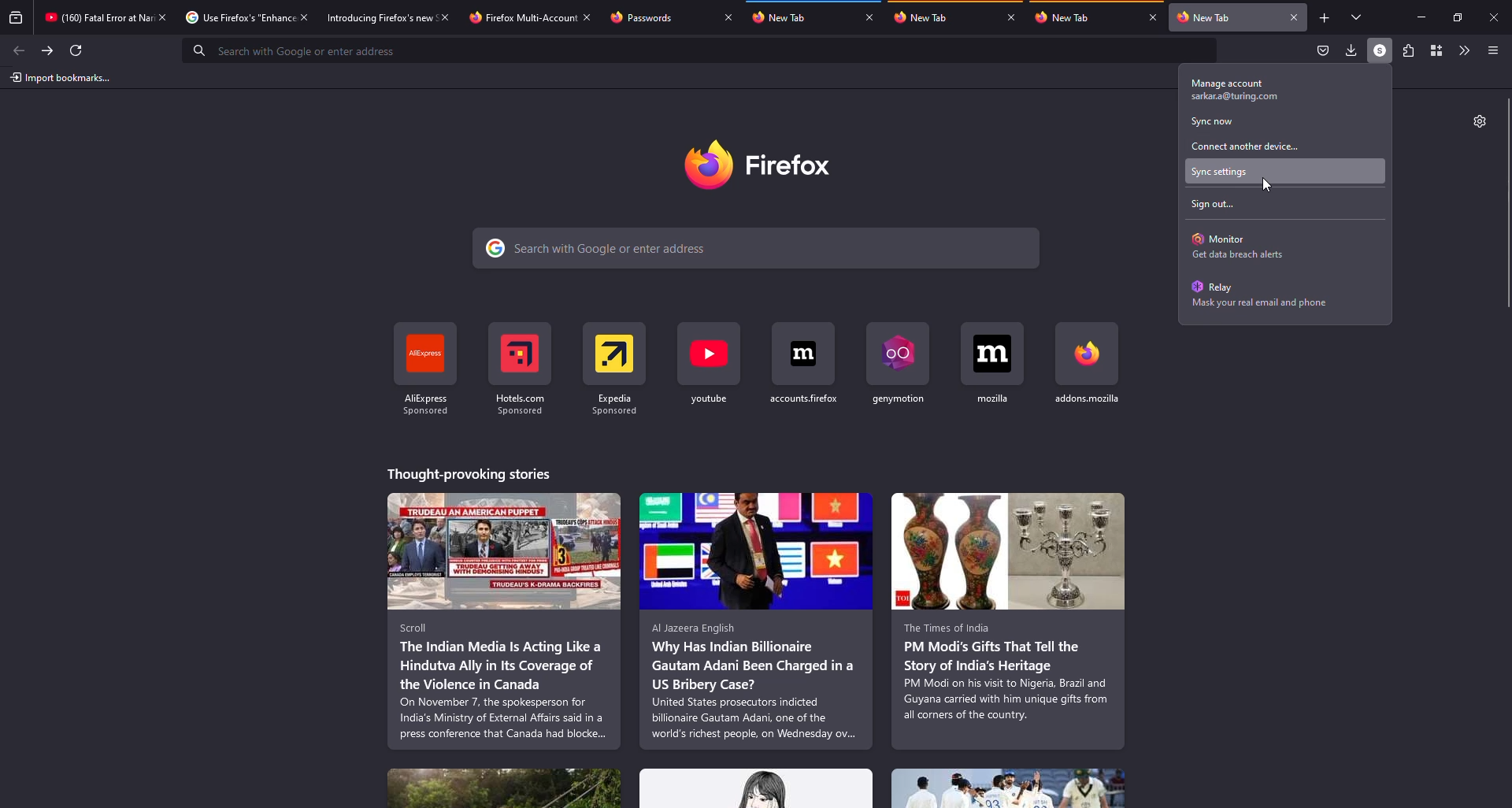 The width and height of the screenshot is (1512, 808). Describe the element at coordinates (757, 246) in the screenshot. I see `search` at that location.